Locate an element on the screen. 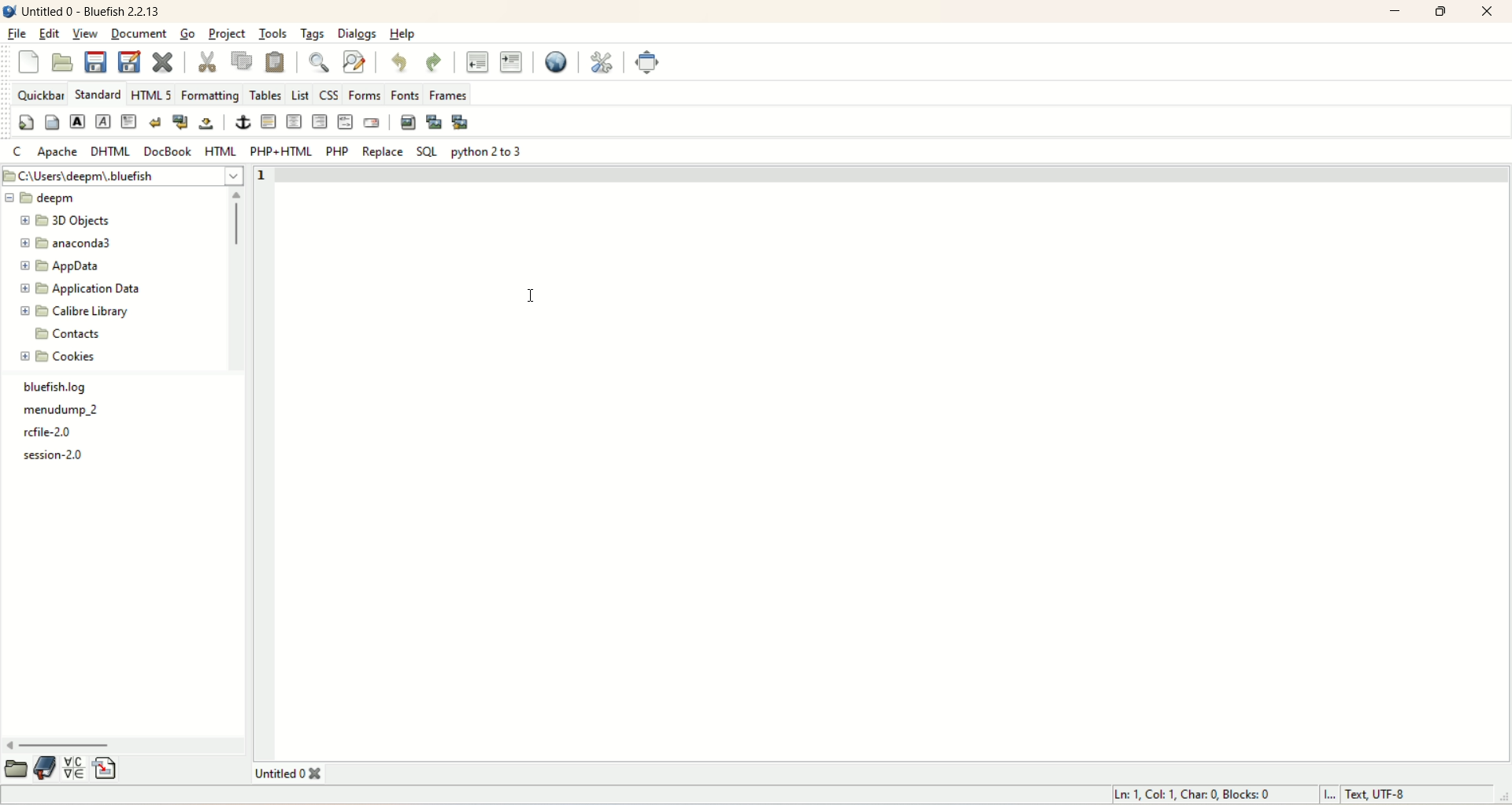 This screenshot has height=805, width=1512. SQL is located at coordinates (427, 151).